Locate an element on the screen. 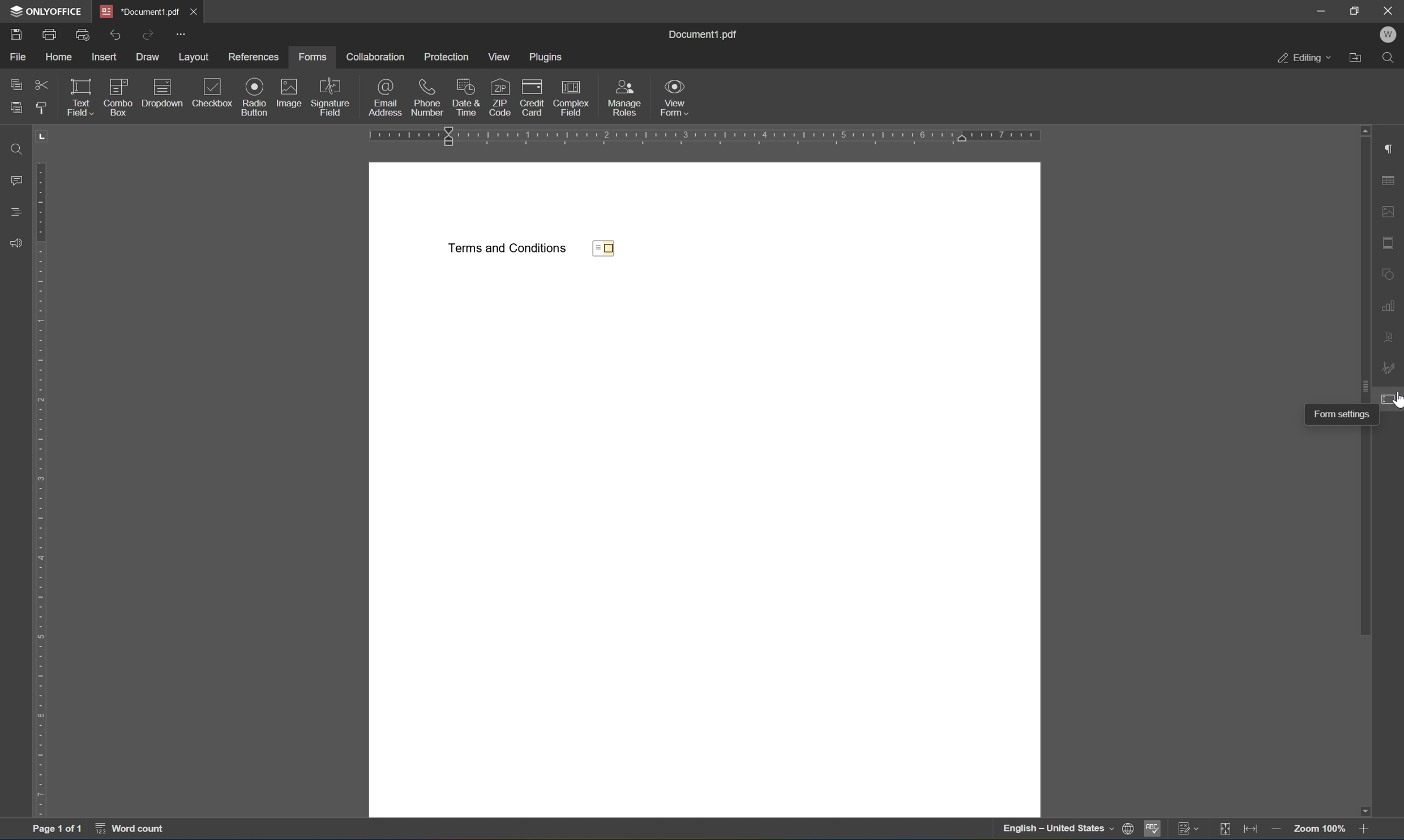  form settings is located at coordinates (1348, 415).